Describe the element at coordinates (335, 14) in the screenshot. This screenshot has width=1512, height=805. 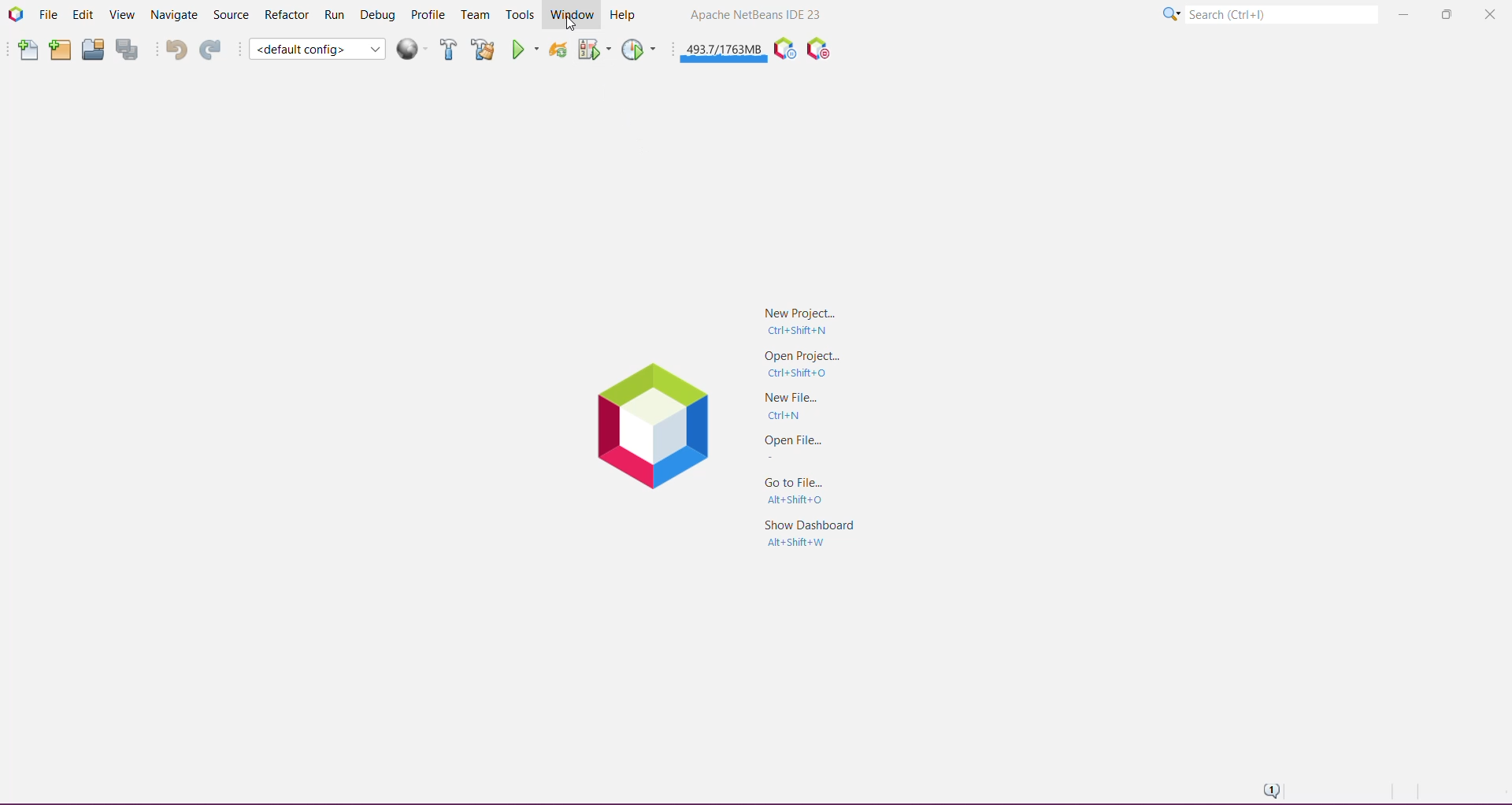
I see `Run` at that location.